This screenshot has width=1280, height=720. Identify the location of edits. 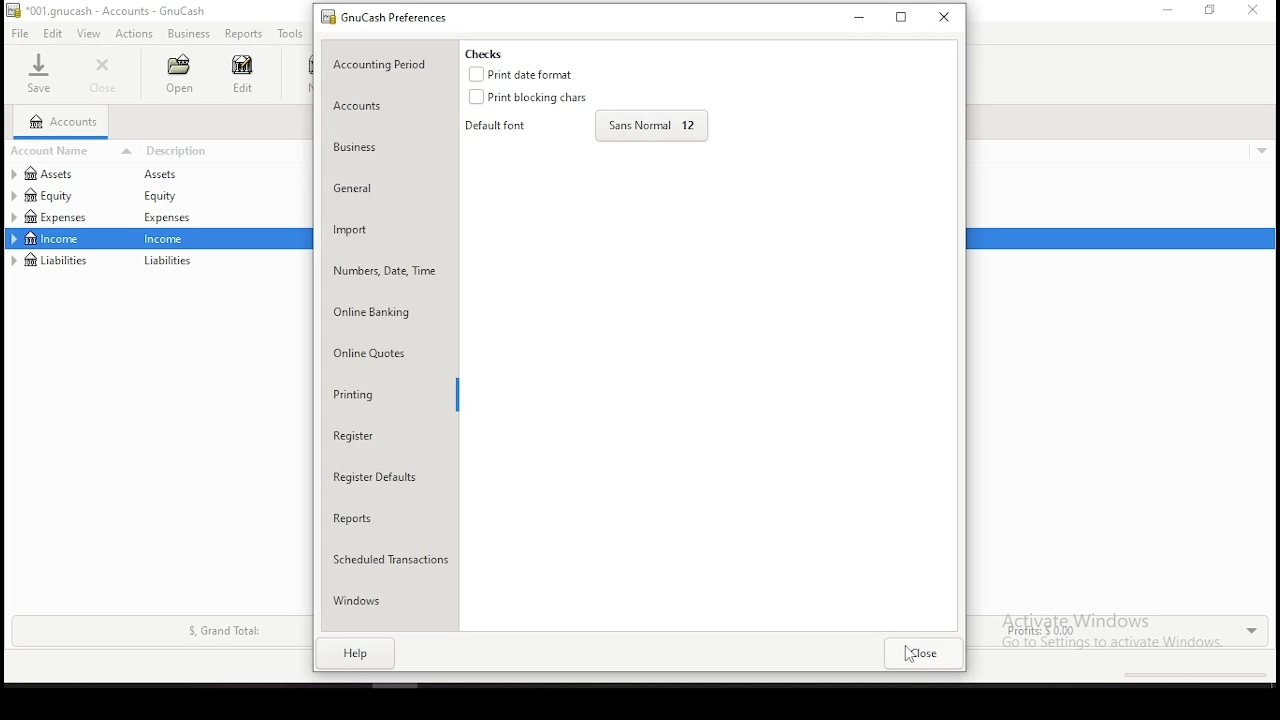
(54, 33).